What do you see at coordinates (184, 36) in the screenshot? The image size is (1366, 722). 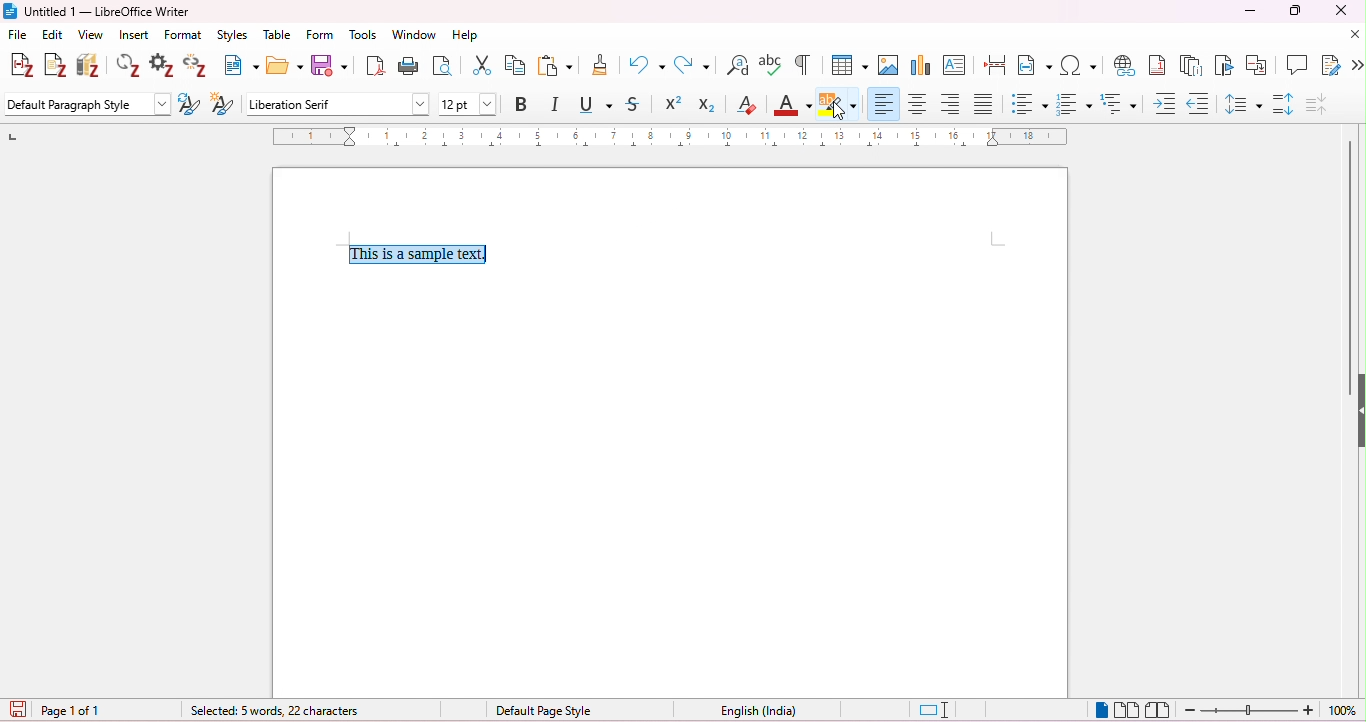 I see `format` at bounding box center [184, 36].